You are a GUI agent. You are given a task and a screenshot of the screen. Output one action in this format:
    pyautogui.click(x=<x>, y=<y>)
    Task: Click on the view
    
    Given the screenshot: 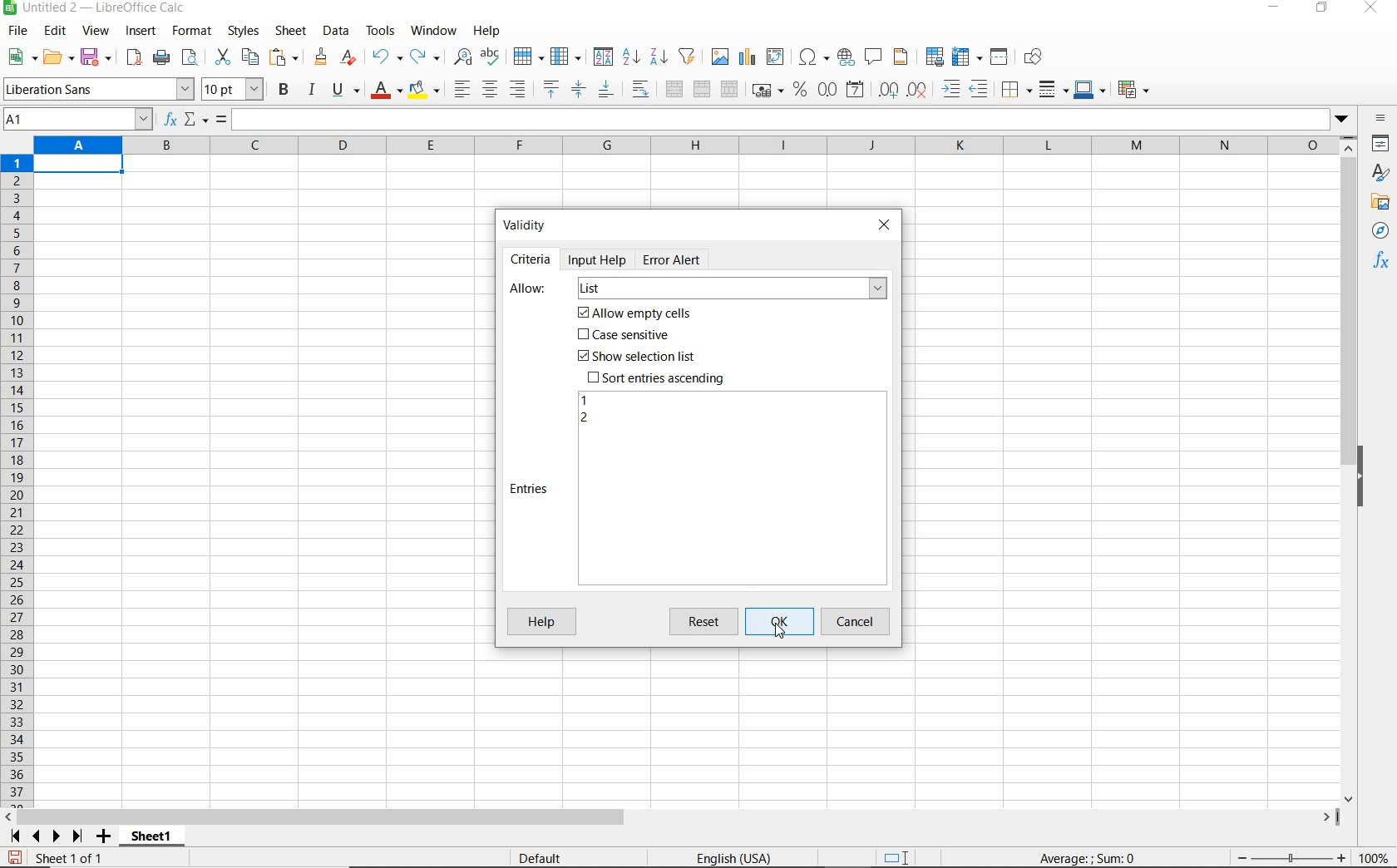 What is the action you would take?
    pyautogui.click(x=96, y=32)
    